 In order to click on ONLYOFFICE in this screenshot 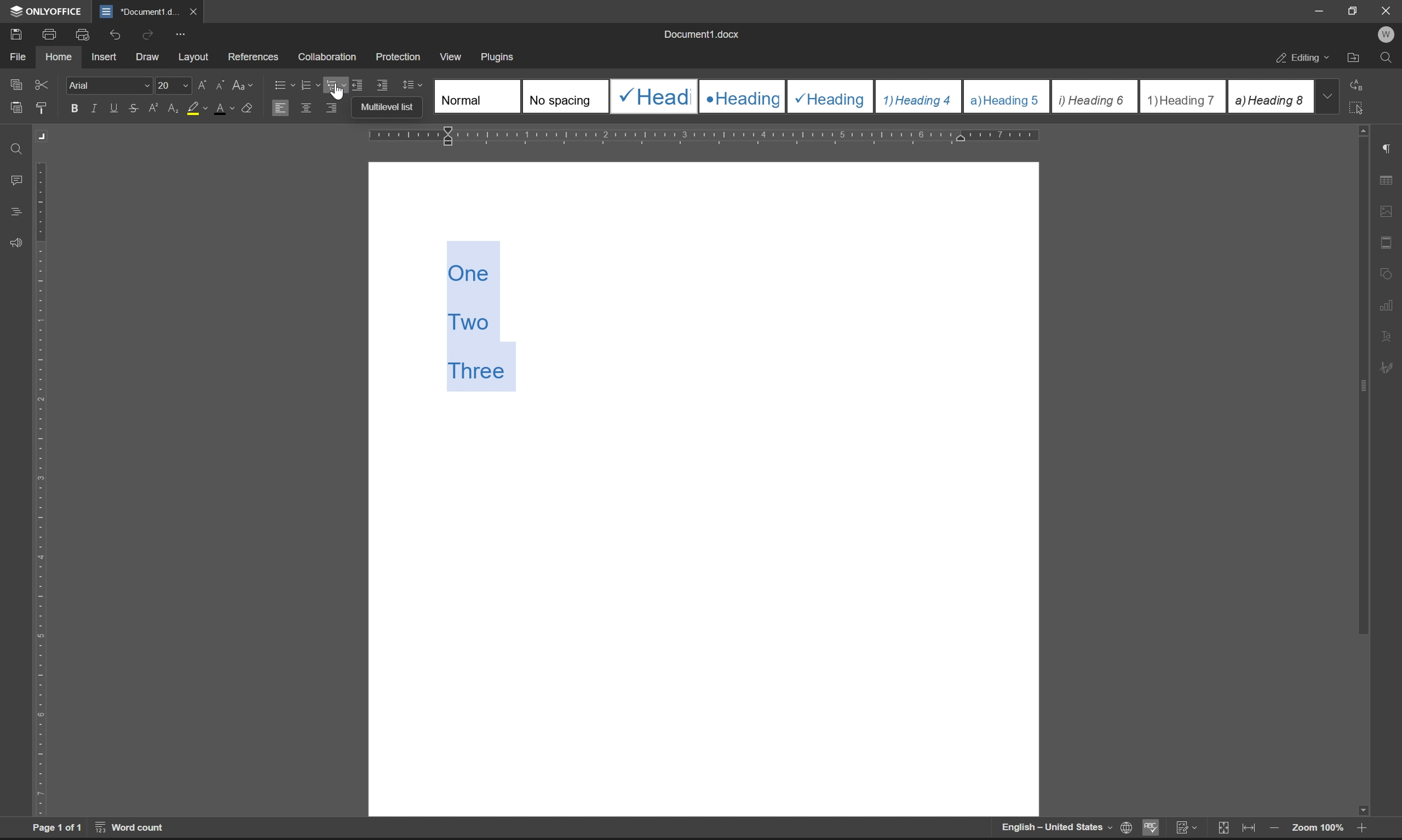, I will do `click(48, 11)`.